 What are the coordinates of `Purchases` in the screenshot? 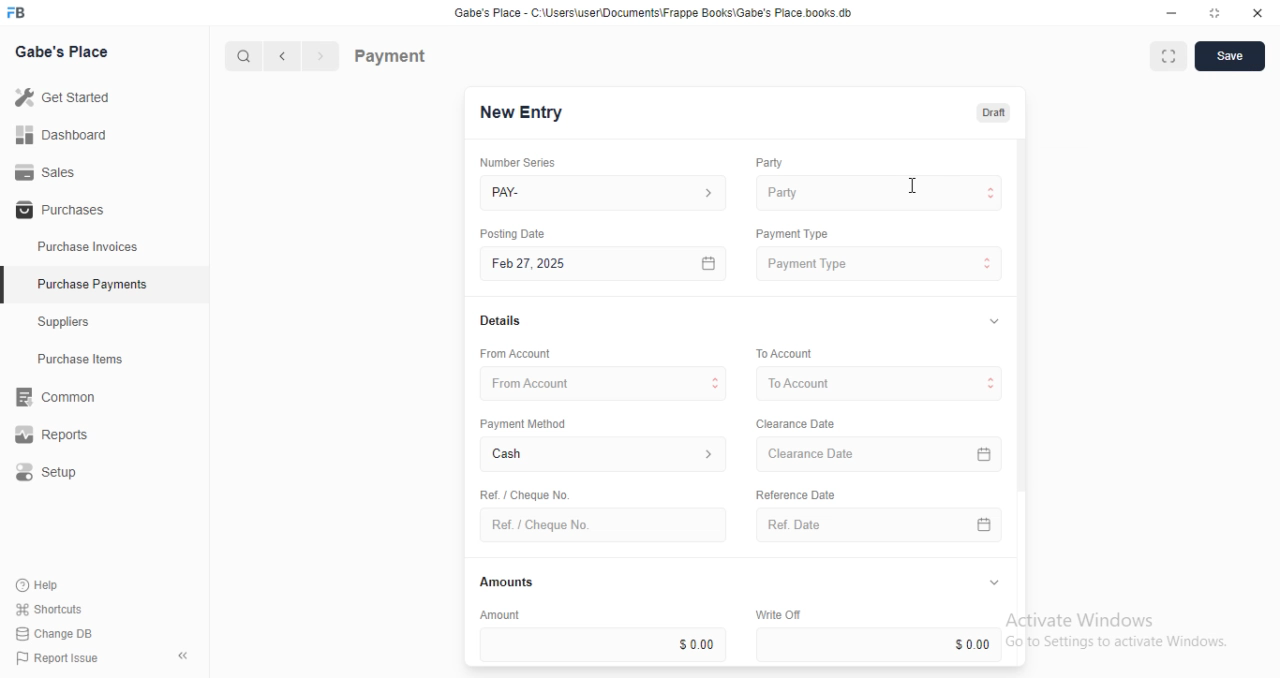 It's located at (57, 211).